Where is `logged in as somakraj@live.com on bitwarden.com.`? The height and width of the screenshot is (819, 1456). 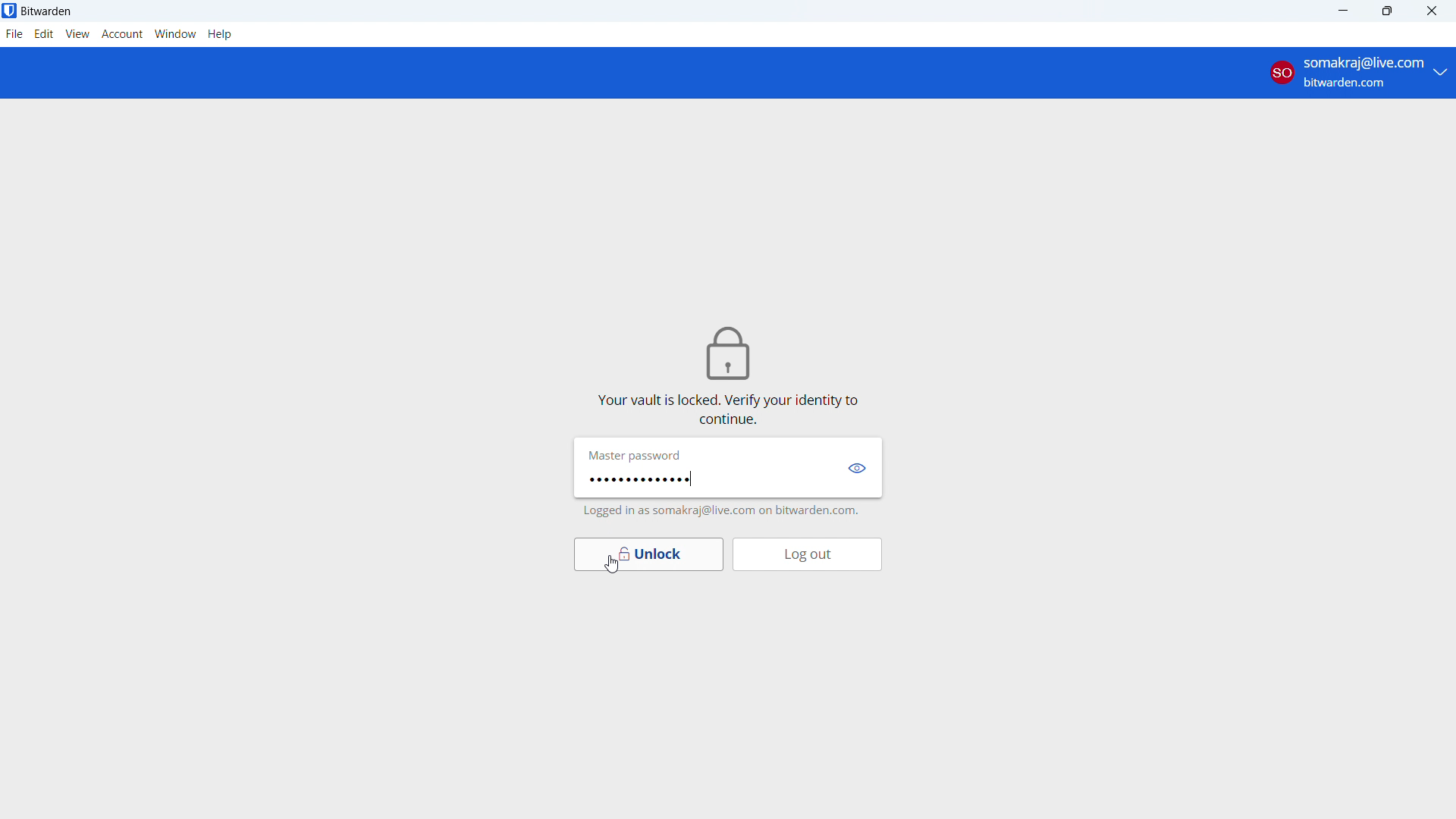
logged in as somakraj@live.com on bitwarden.com. is located at coordinates (724, 513).